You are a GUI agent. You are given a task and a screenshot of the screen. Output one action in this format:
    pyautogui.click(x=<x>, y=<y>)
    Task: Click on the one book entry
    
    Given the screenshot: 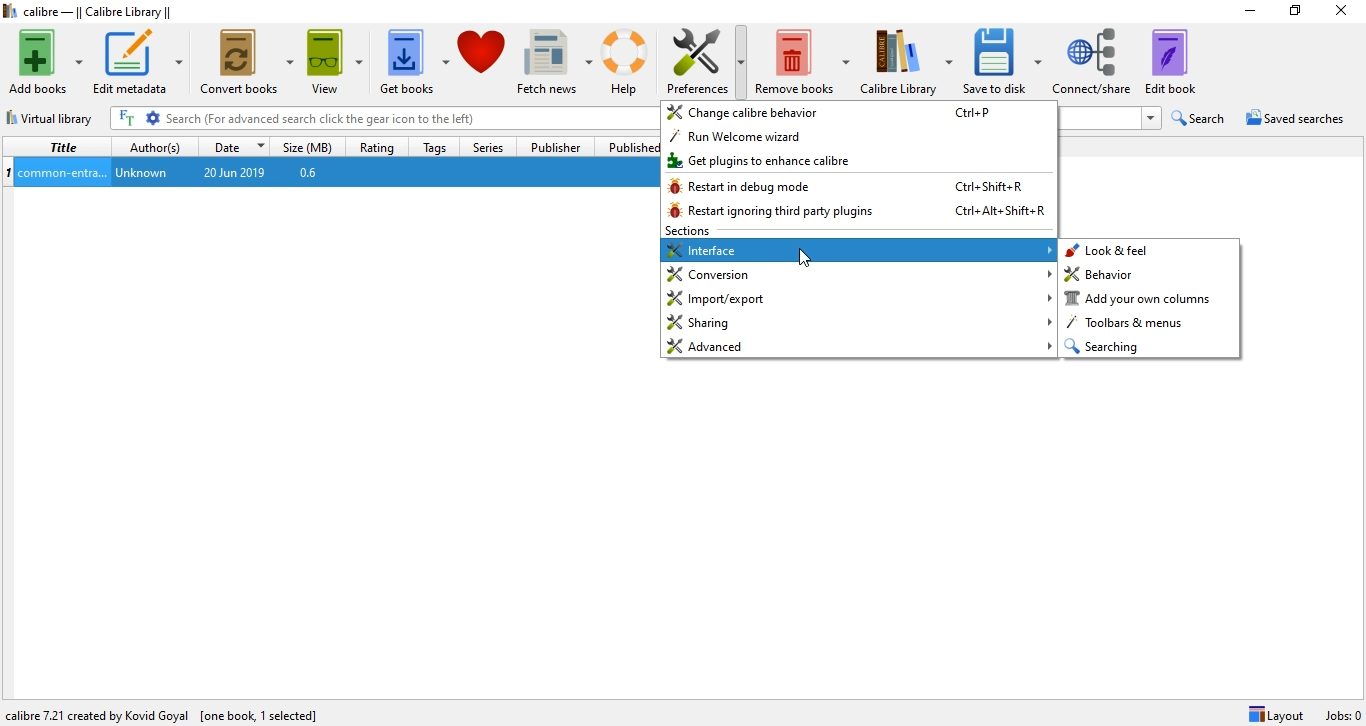 What is the action you would take?
    pyautogui.click(x=330, y=173)
    